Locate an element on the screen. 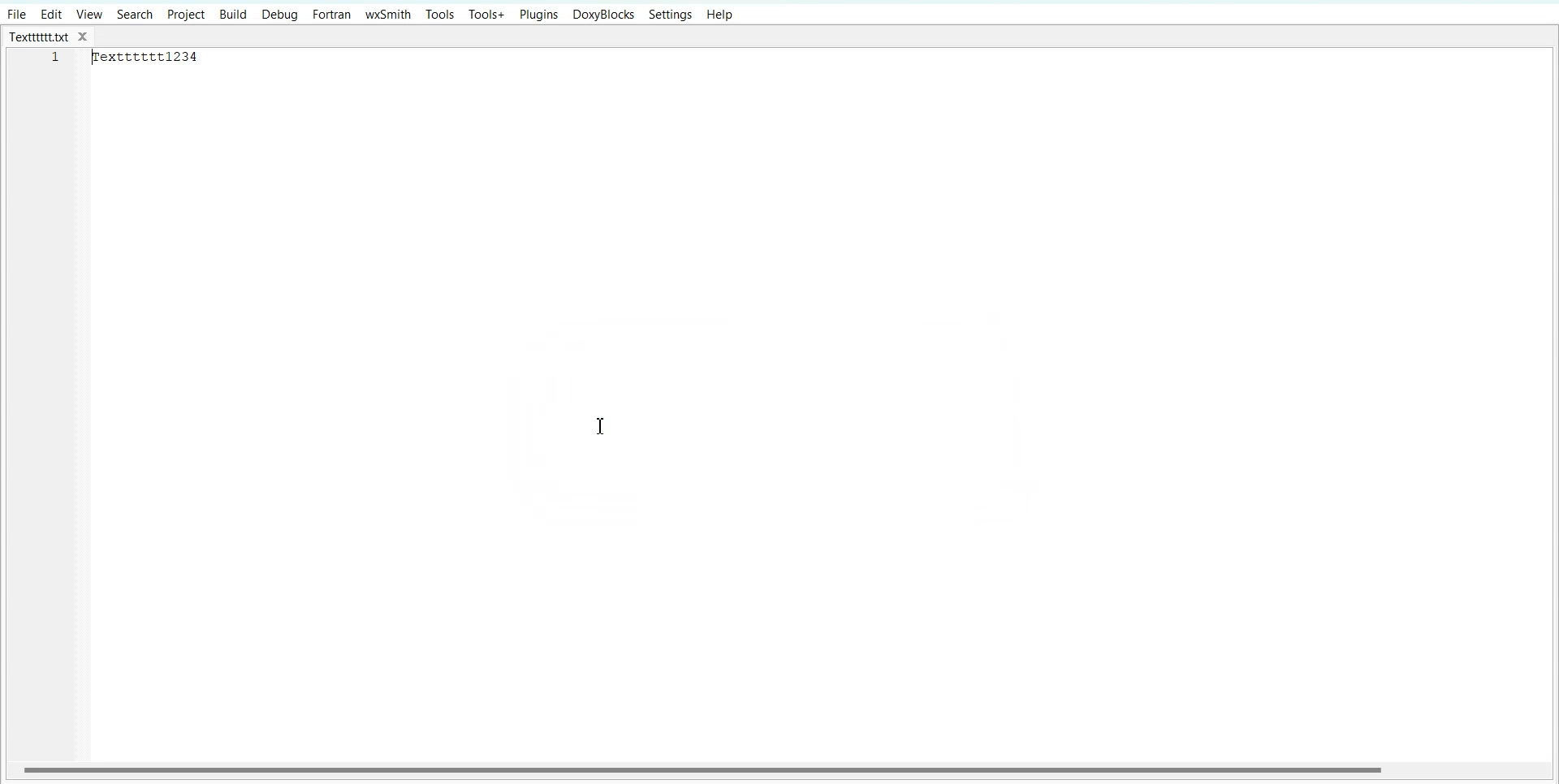 Image resolution: width=1559 pixels, height=784 pixels. Project is located at coordinates (185, 15).